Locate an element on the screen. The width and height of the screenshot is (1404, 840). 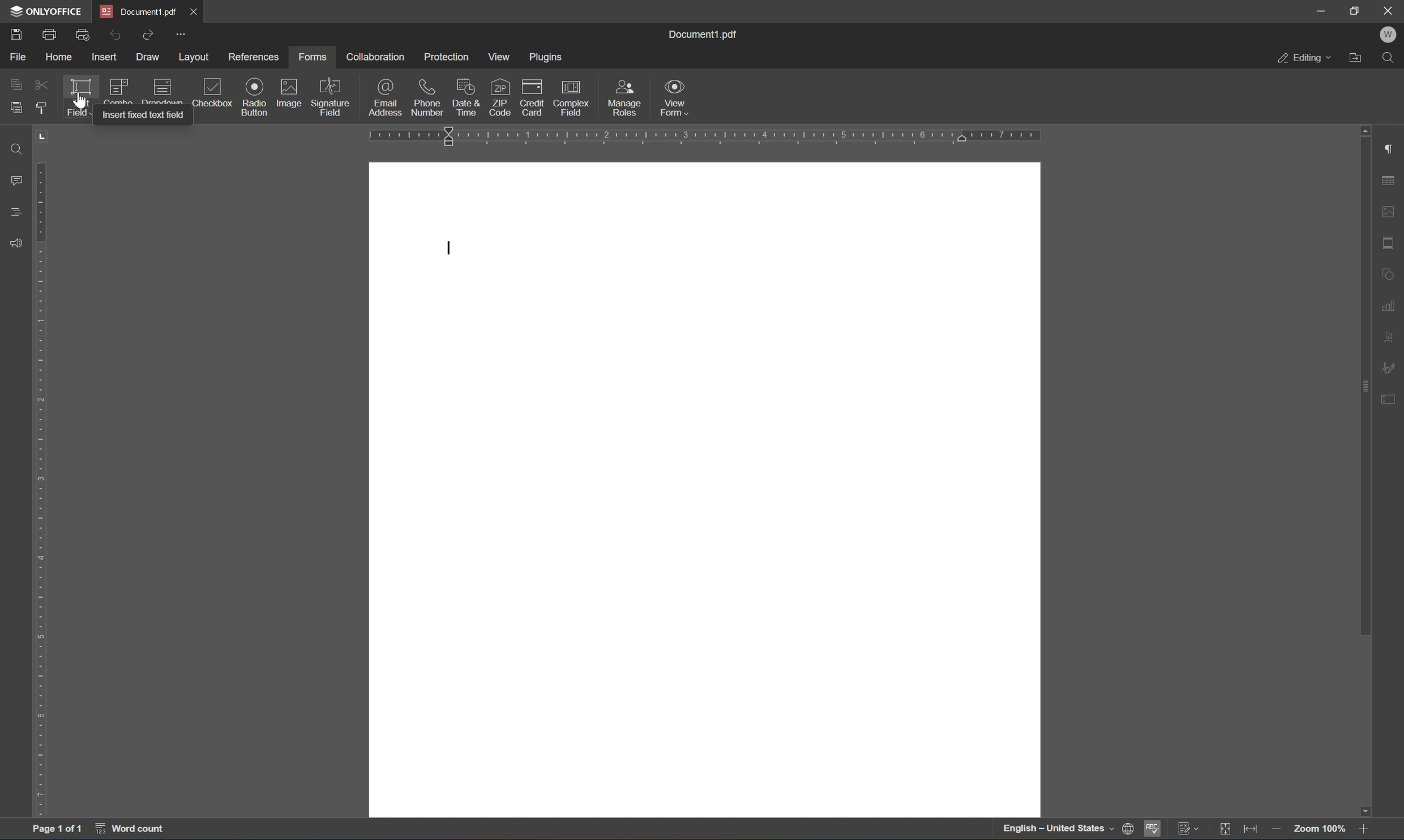
dropdown is located at coordinates (164, 90).